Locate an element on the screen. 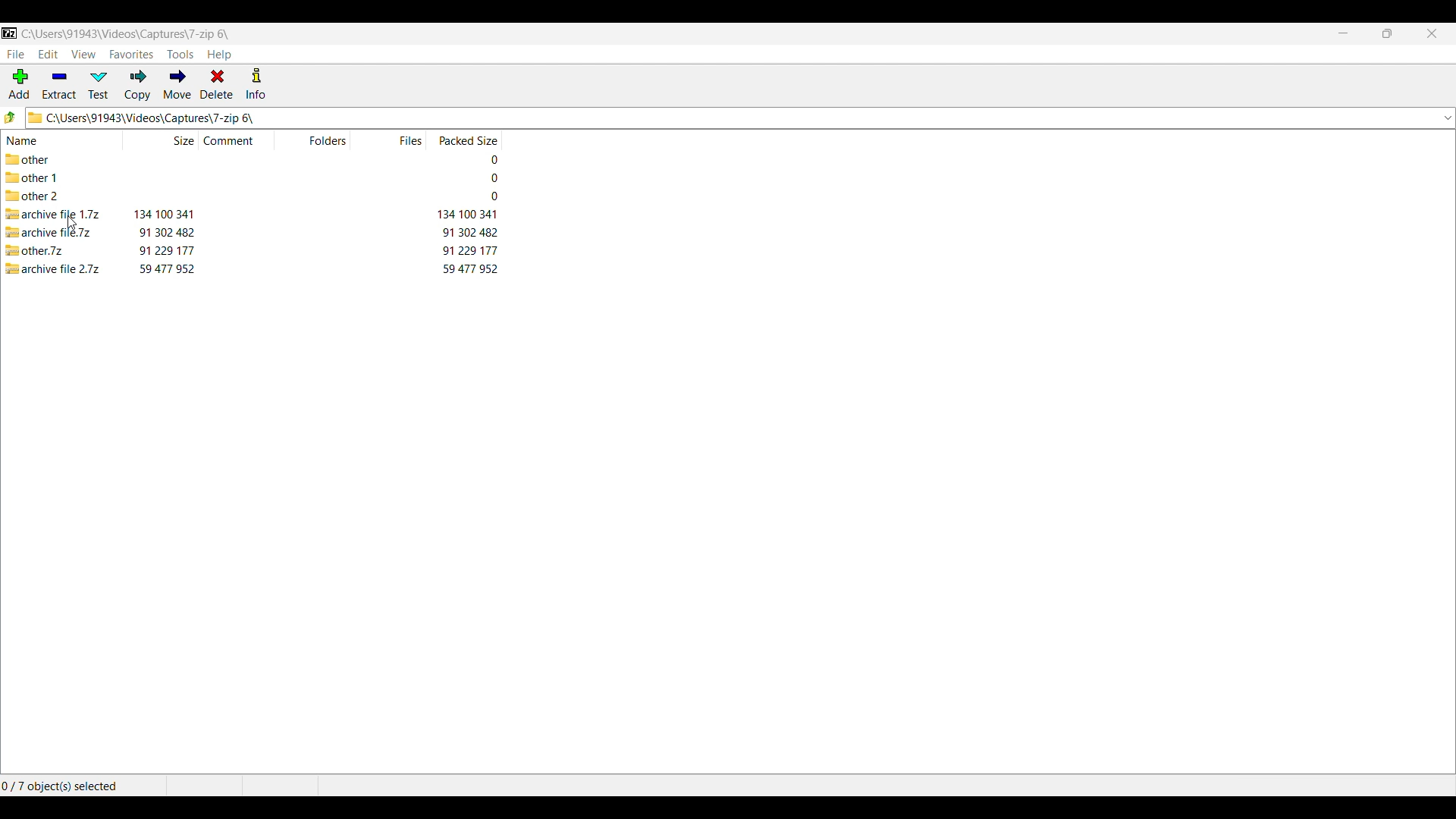  packed size is located at coordinates (470, 232).